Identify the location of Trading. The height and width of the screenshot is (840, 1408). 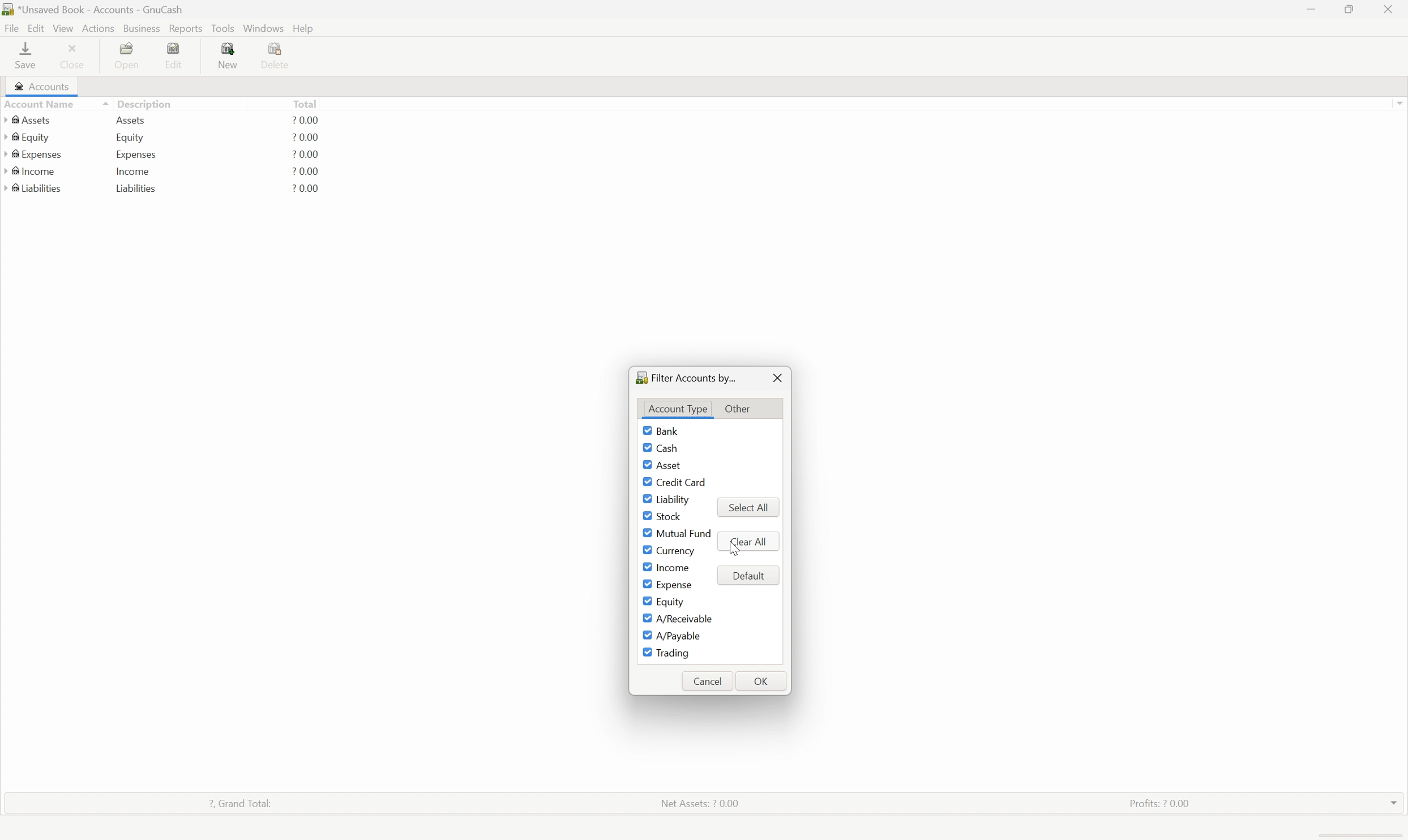
(674, 653).